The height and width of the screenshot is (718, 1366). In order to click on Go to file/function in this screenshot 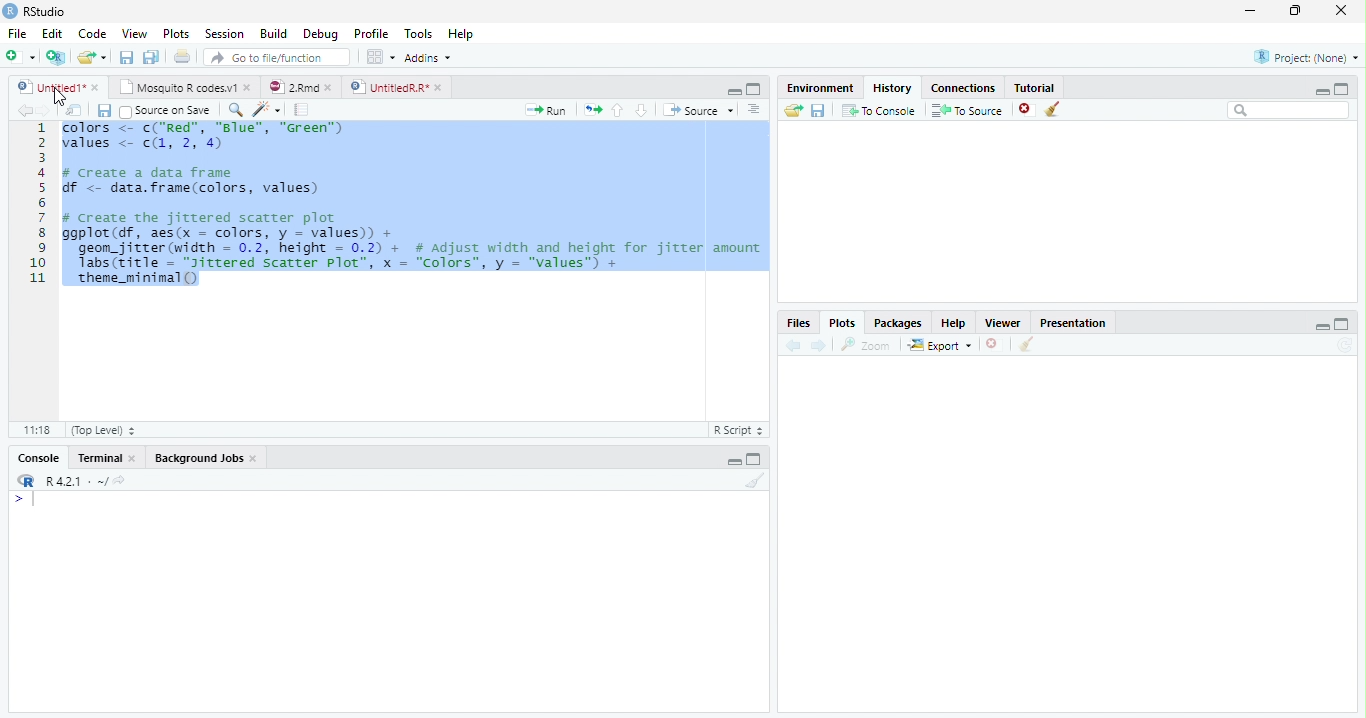, I will do `click(277, 57)`.